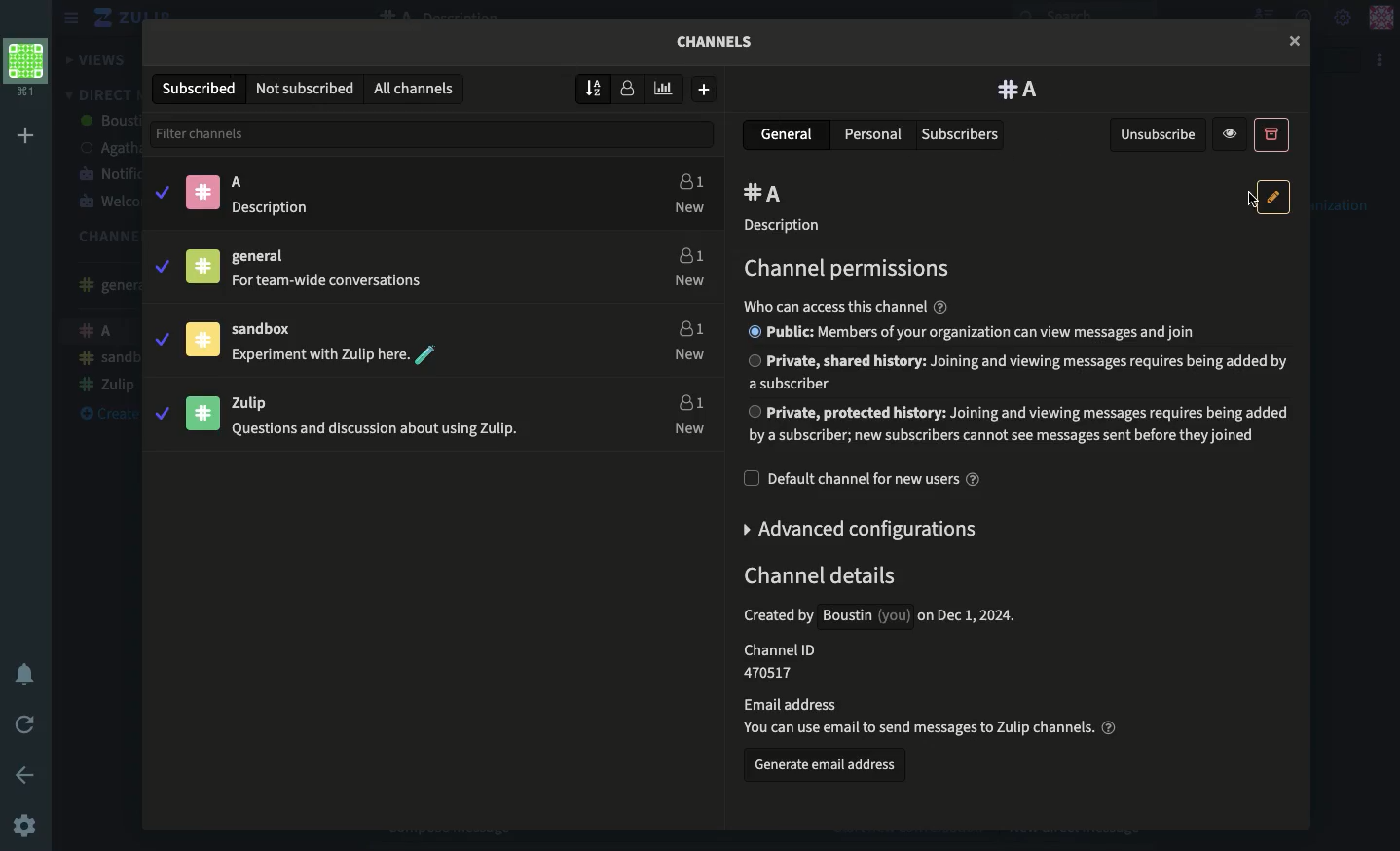  What do you see at coordinates (1019, 425) in the screenshot?
I see `© Private, protected history: Joining and viewing messages requires being added
by a subscriber; new subscribers cannot see messages sent before they joined` at bounding box center [1019, 425].